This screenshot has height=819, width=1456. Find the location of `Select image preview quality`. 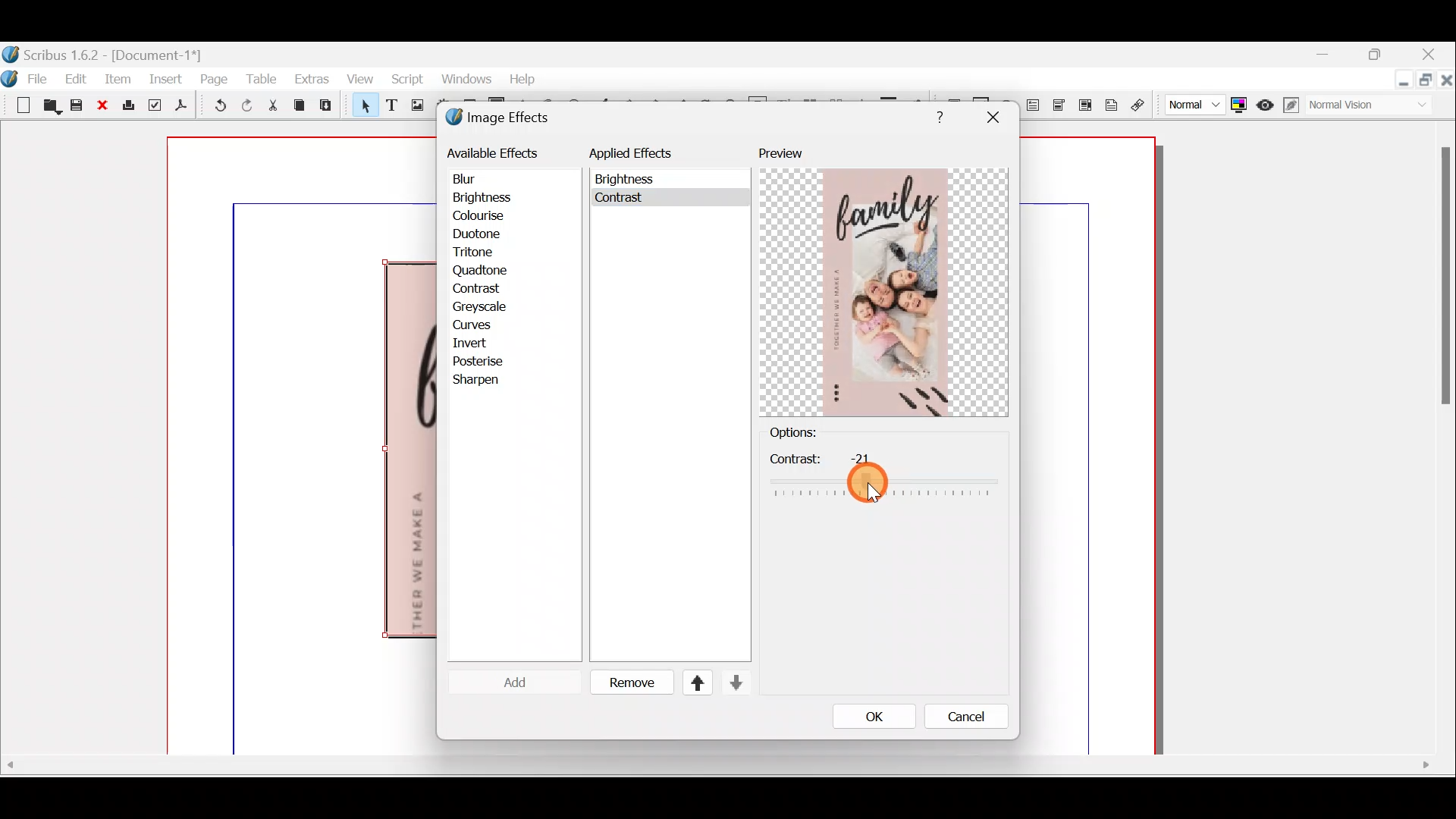

Select image preview quality is located at coordinates (1191, 102).